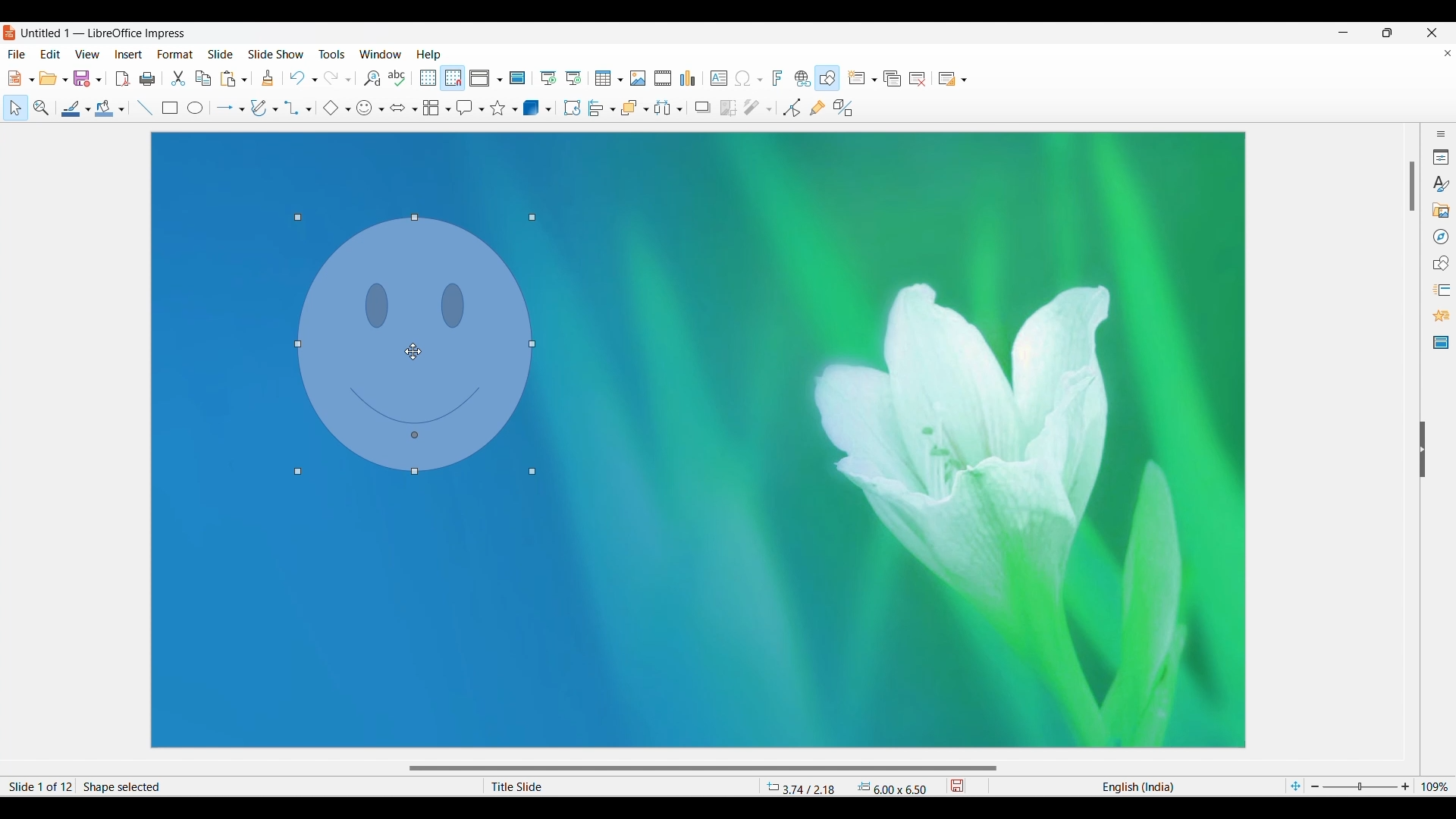 Image resolution: width=1456 pixels, height=819 pixels. I want to click on Selected 3D object, so click(532, 107).